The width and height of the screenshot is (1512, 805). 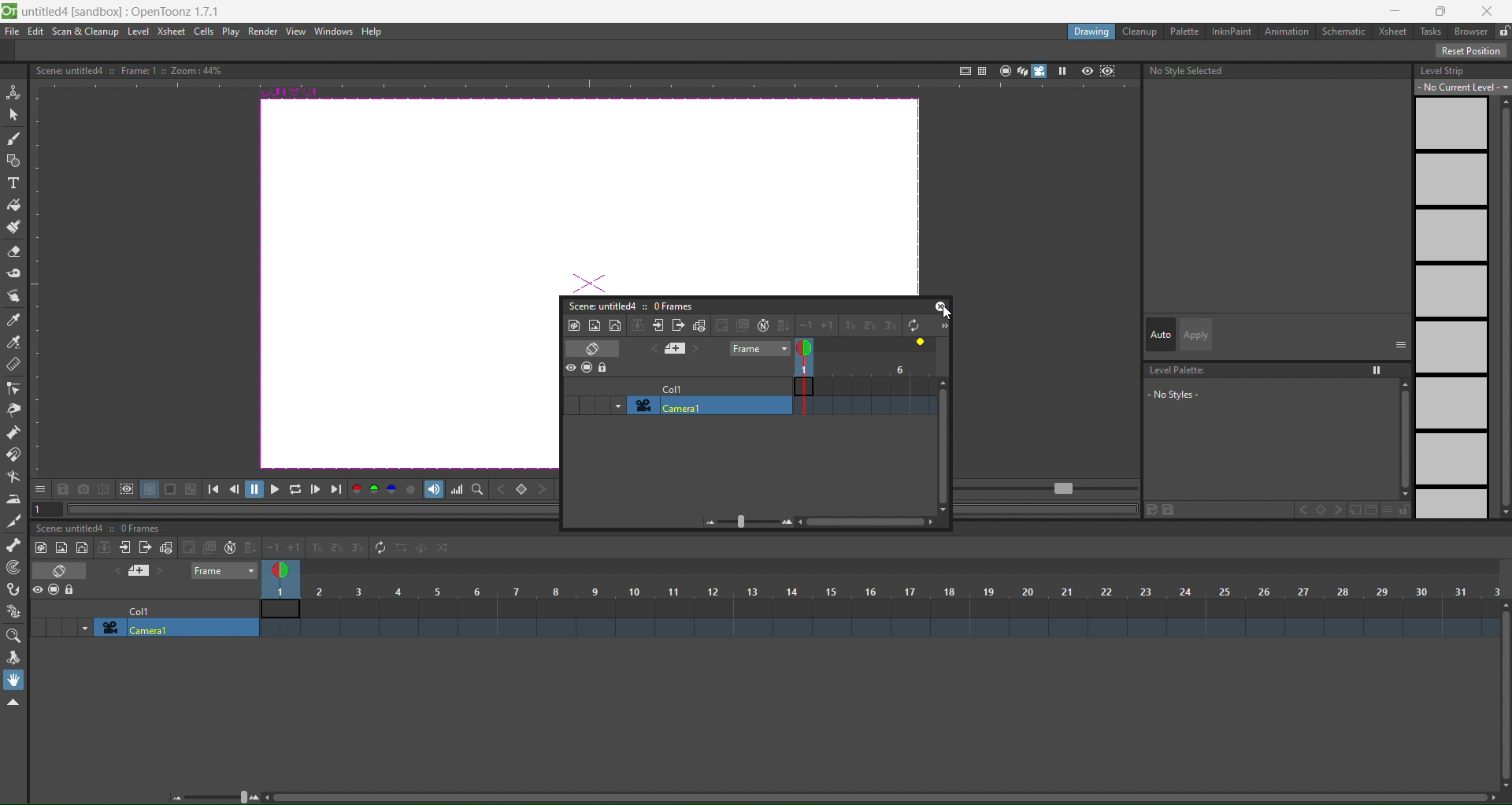 I want to click on rgb chanel, so click(x=376, y=490).